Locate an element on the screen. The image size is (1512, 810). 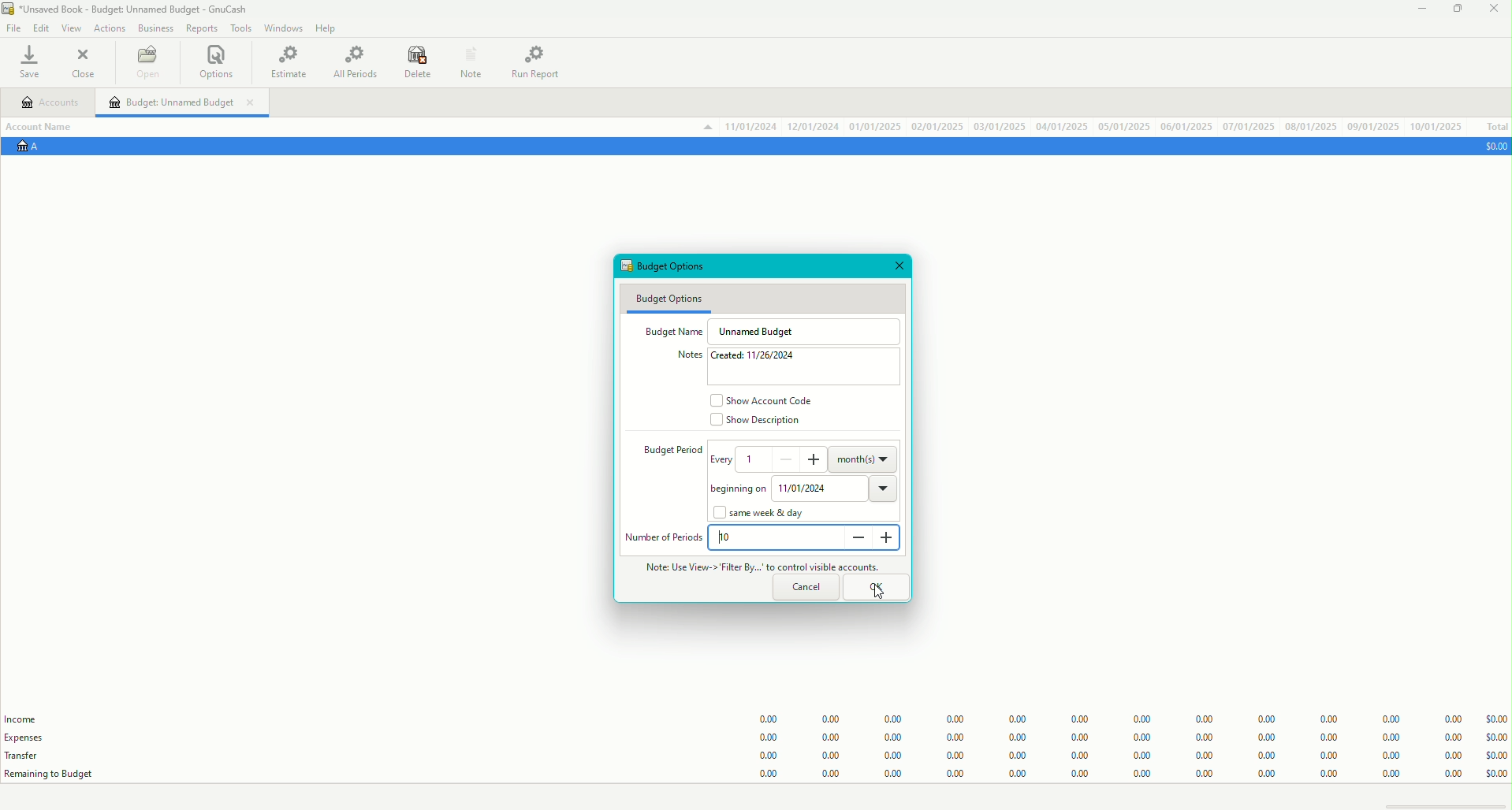
Edit is located at coordinates (41, 28).